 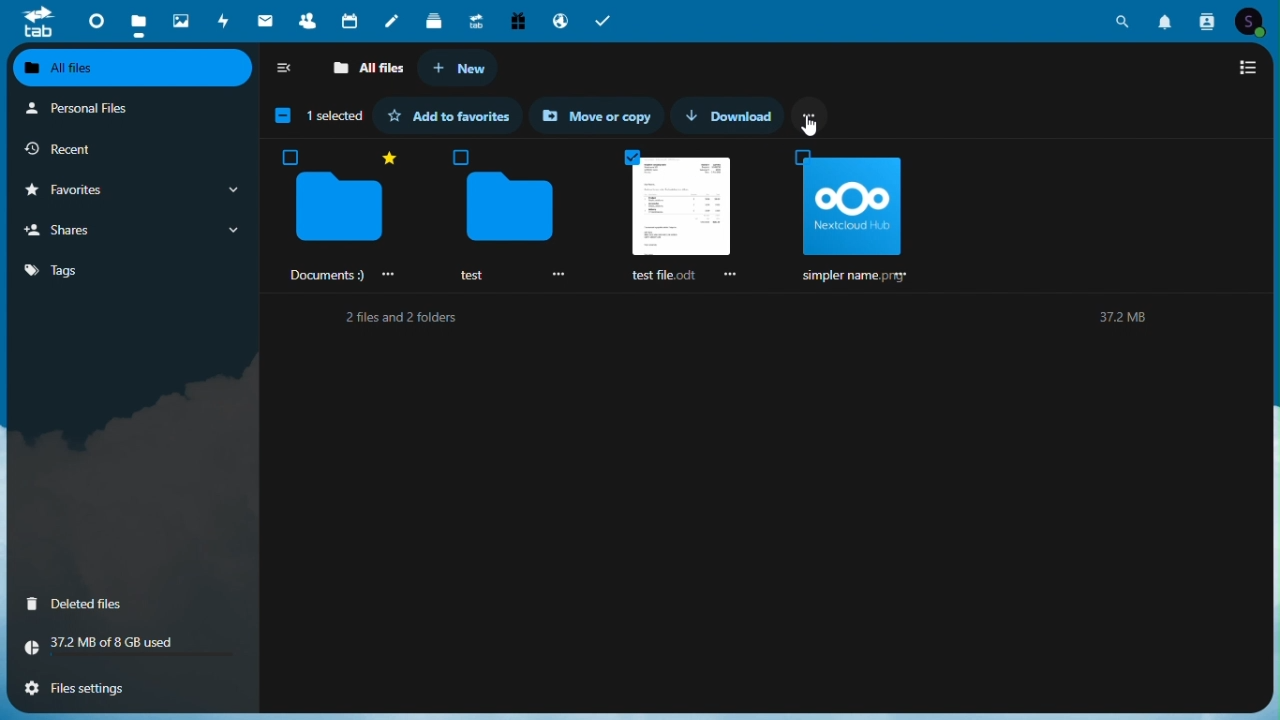 I want to click on Add to favourite, so click(x=451, y=116).